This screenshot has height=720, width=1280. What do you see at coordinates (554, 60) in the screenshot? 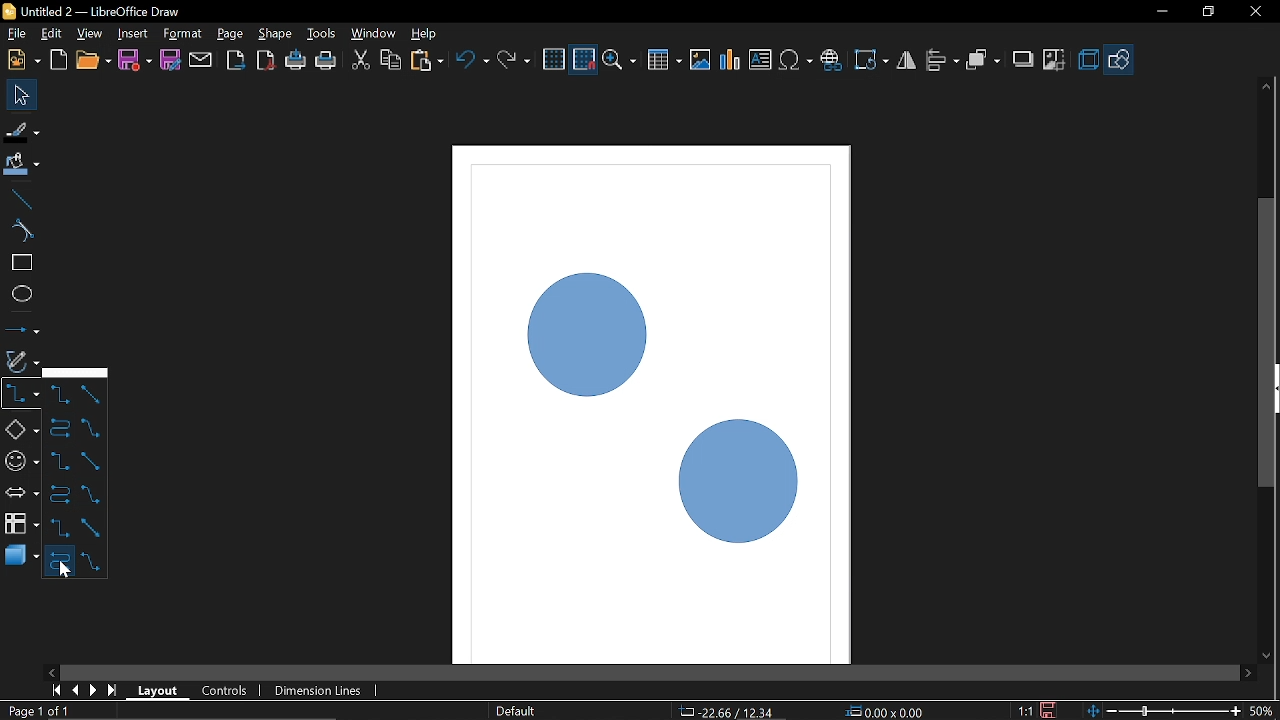
I see `Grid` at bounding box center [554, 60].